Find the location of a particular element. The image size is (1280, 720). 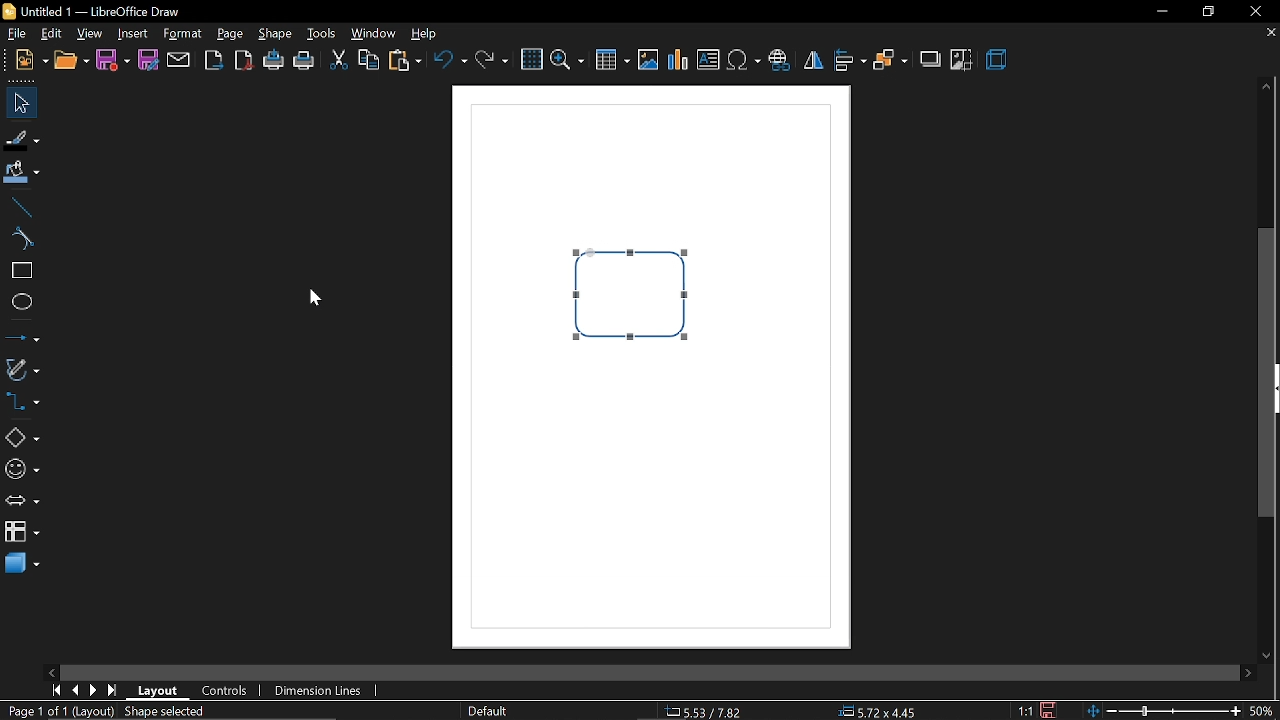

save is located at coordinates (113, 60).